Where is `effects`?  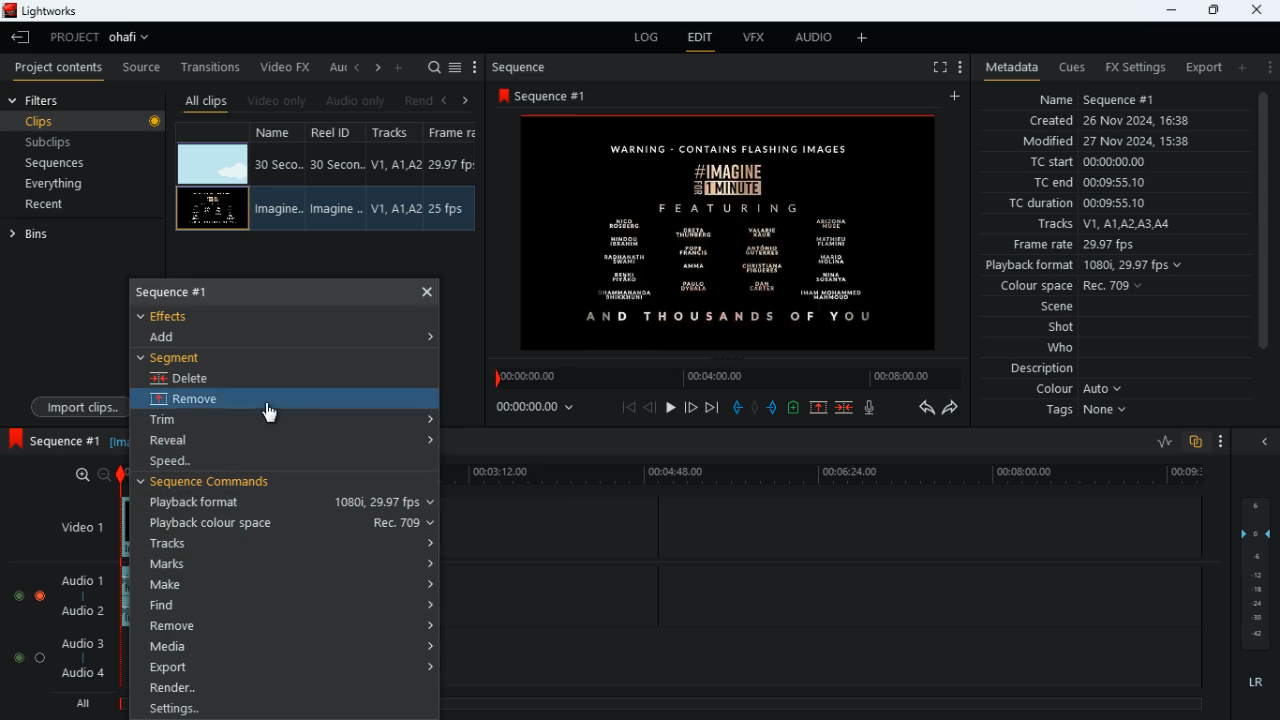 effects is located at coordinates (195, 318).